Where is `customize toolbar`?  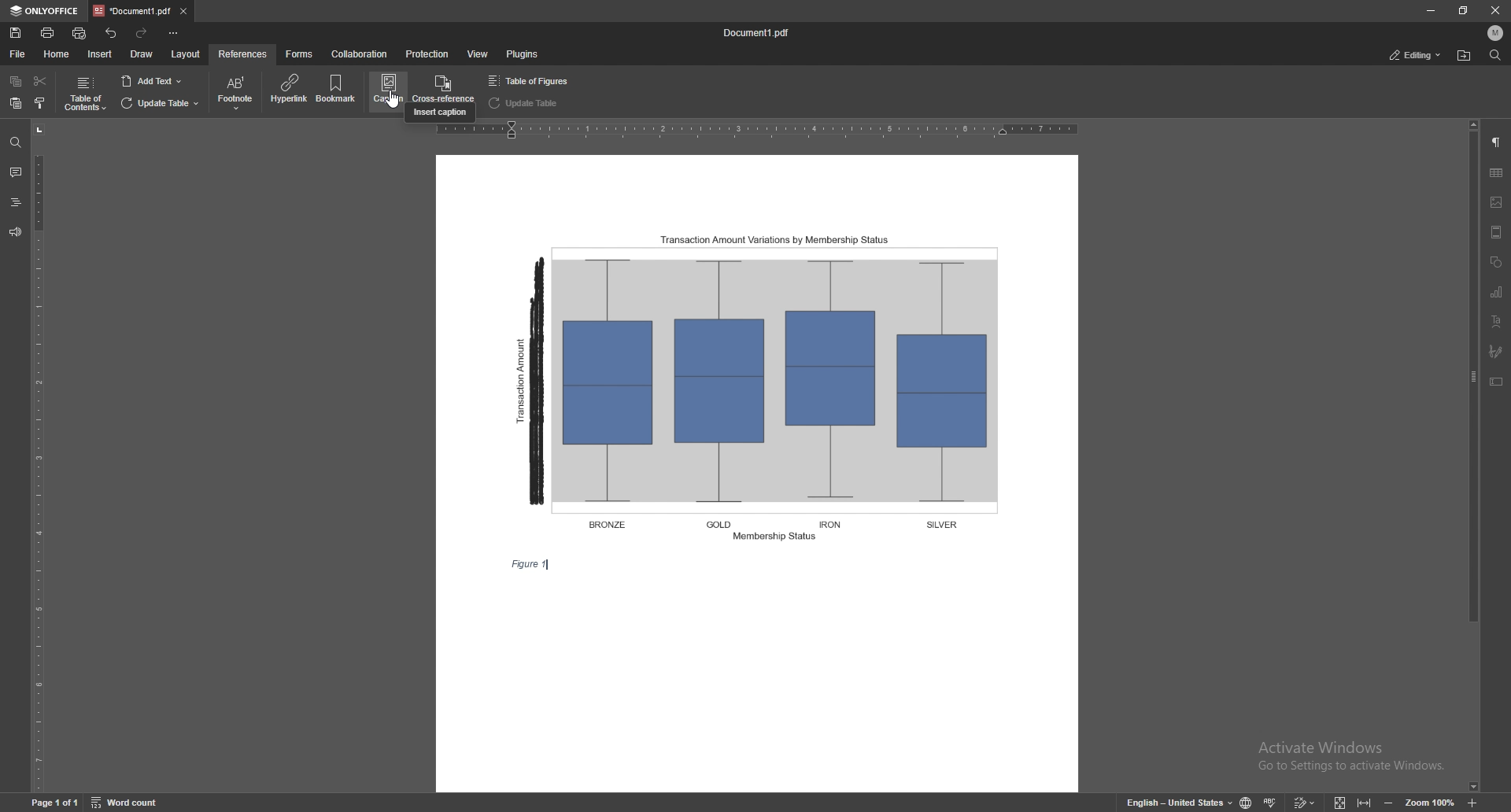
customize toolbar is located at coordinates (172, 33).